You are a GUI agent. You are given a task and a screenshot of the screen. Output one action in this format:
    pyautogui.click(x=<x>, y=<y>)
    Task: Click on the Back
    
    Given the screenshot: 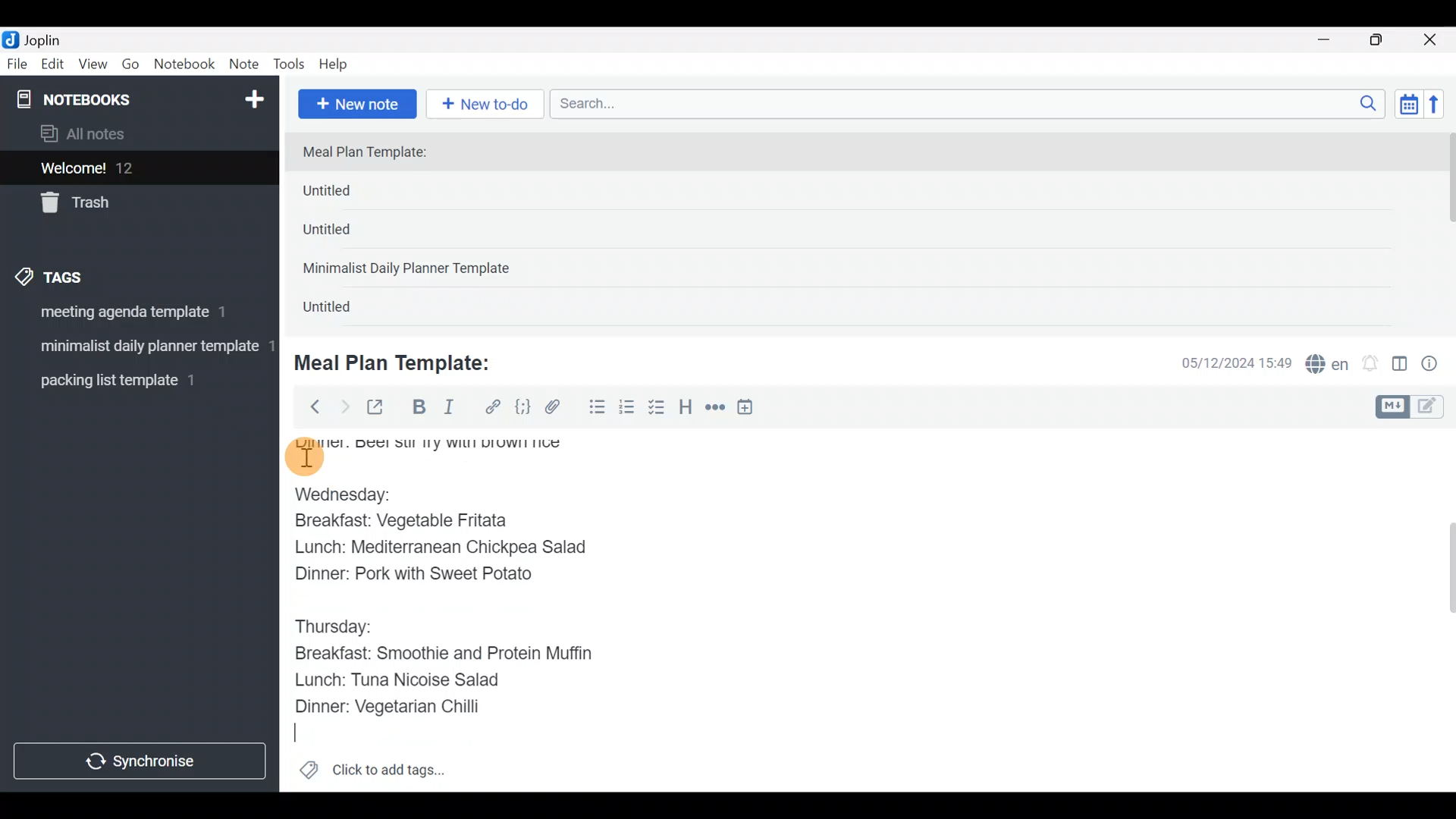 What is the action you would take?
    pyautogui.click(x=309, y=406)
    